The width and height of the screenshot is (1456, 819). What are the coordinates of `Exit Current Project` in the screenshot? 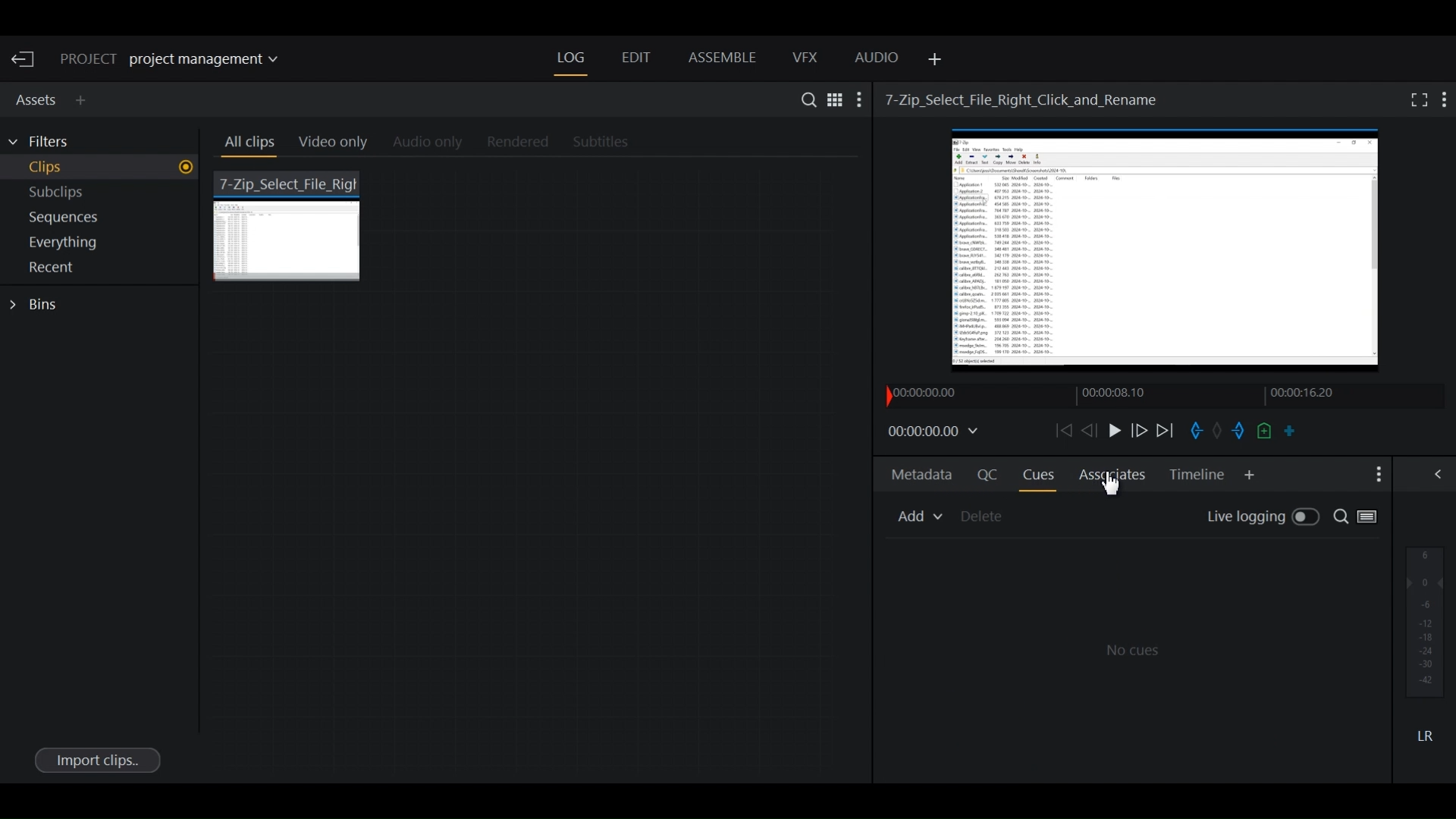 It's located at (26, 60).